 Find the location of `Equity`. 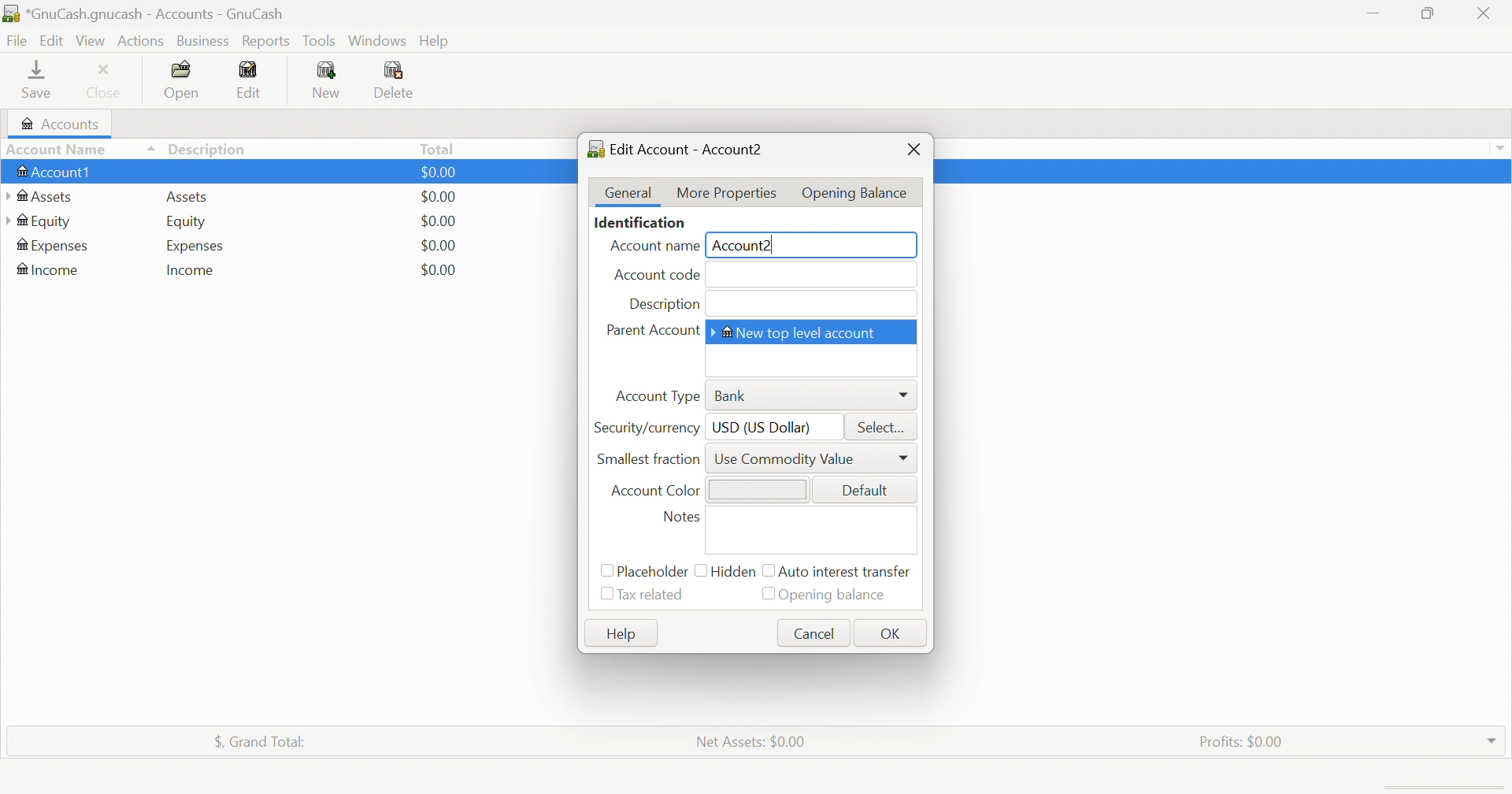

Equity is located at coordinates (187, 224).